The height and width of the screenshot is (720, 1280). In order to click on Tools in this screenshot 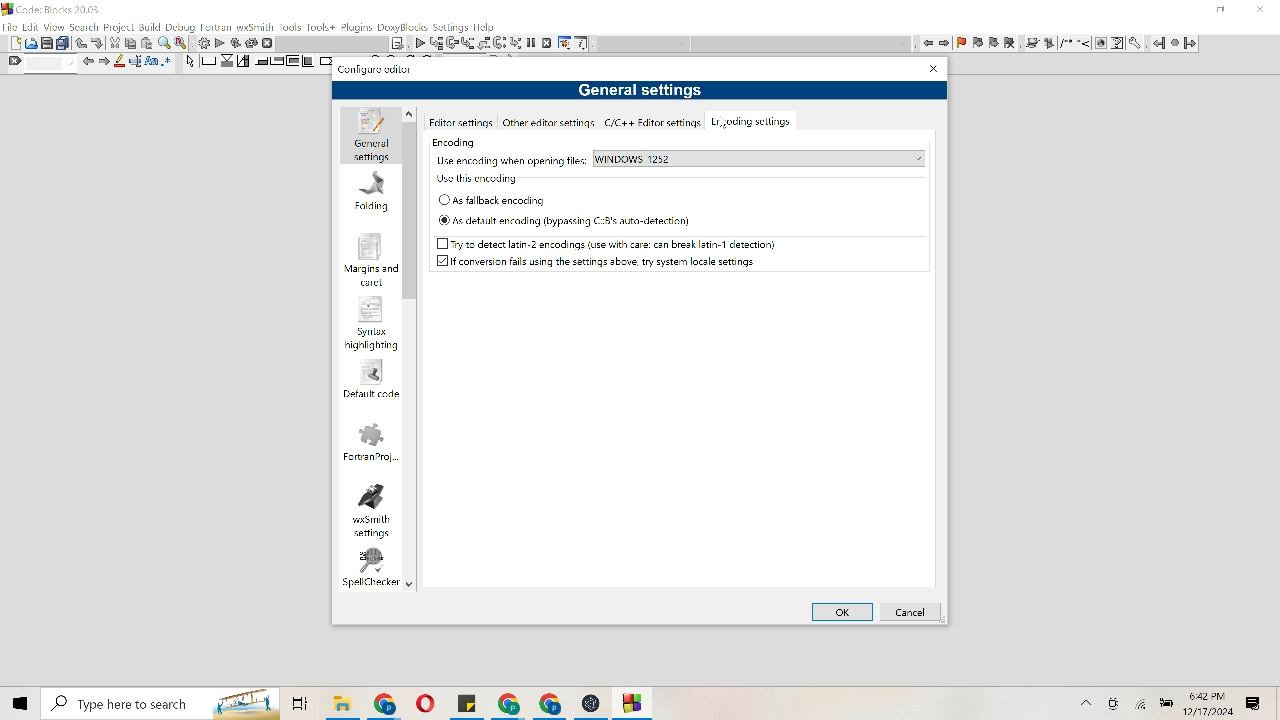, I will do `click(291, 28)`.